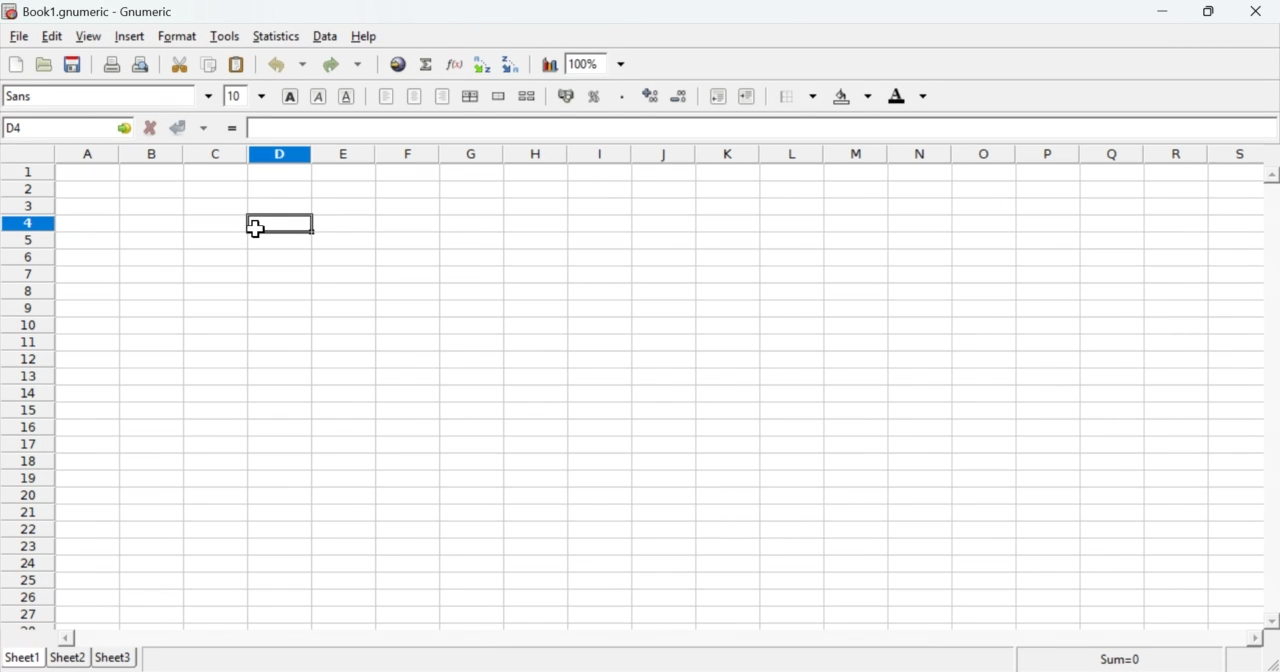 This screenshot has height=672, width=1280. I want to click on Minimize, so click(1167, 12).